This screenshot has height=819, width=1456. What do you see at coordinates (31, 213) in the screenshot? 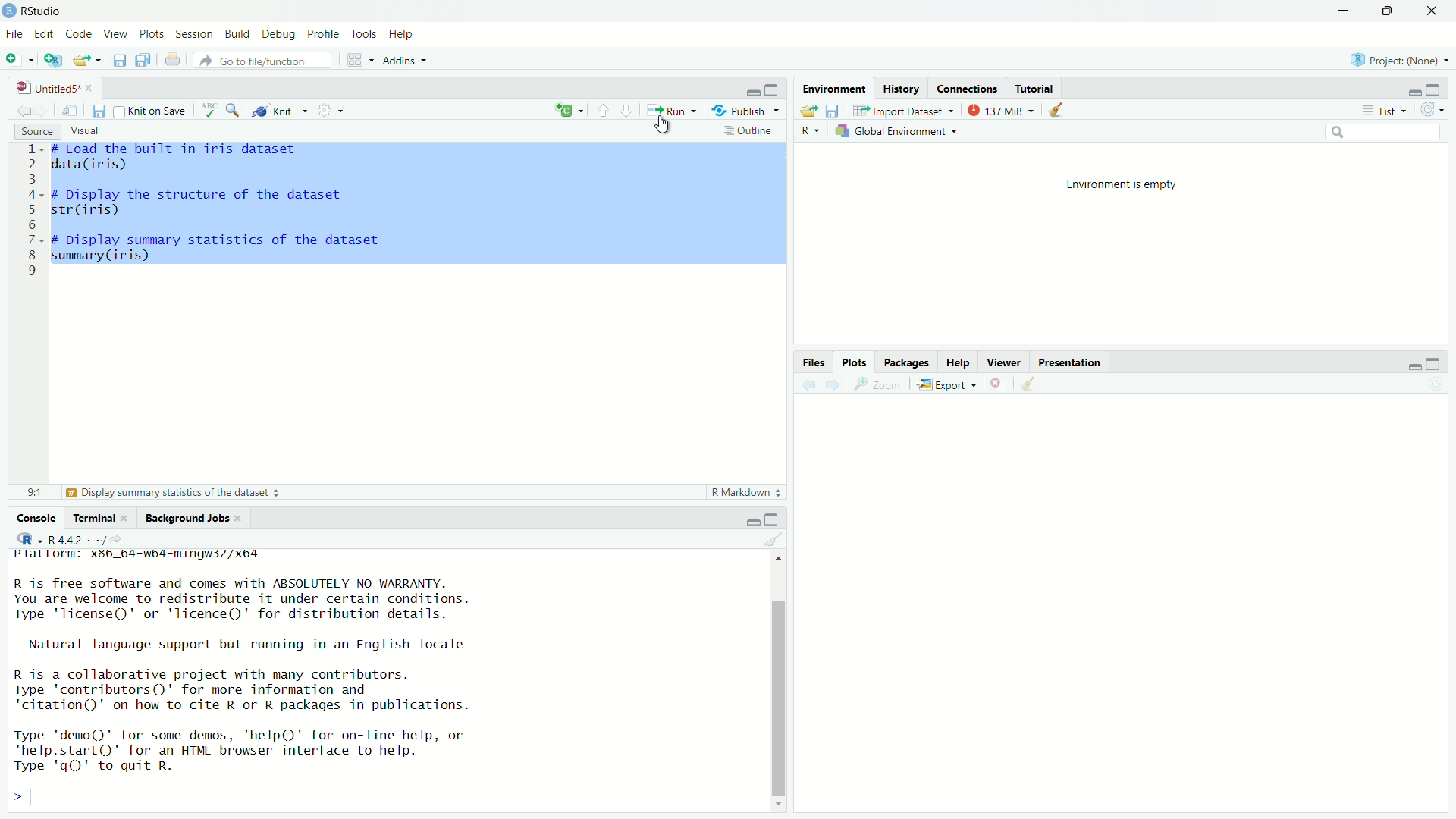
I see `Line numbers` at bounding box center [31, 213].